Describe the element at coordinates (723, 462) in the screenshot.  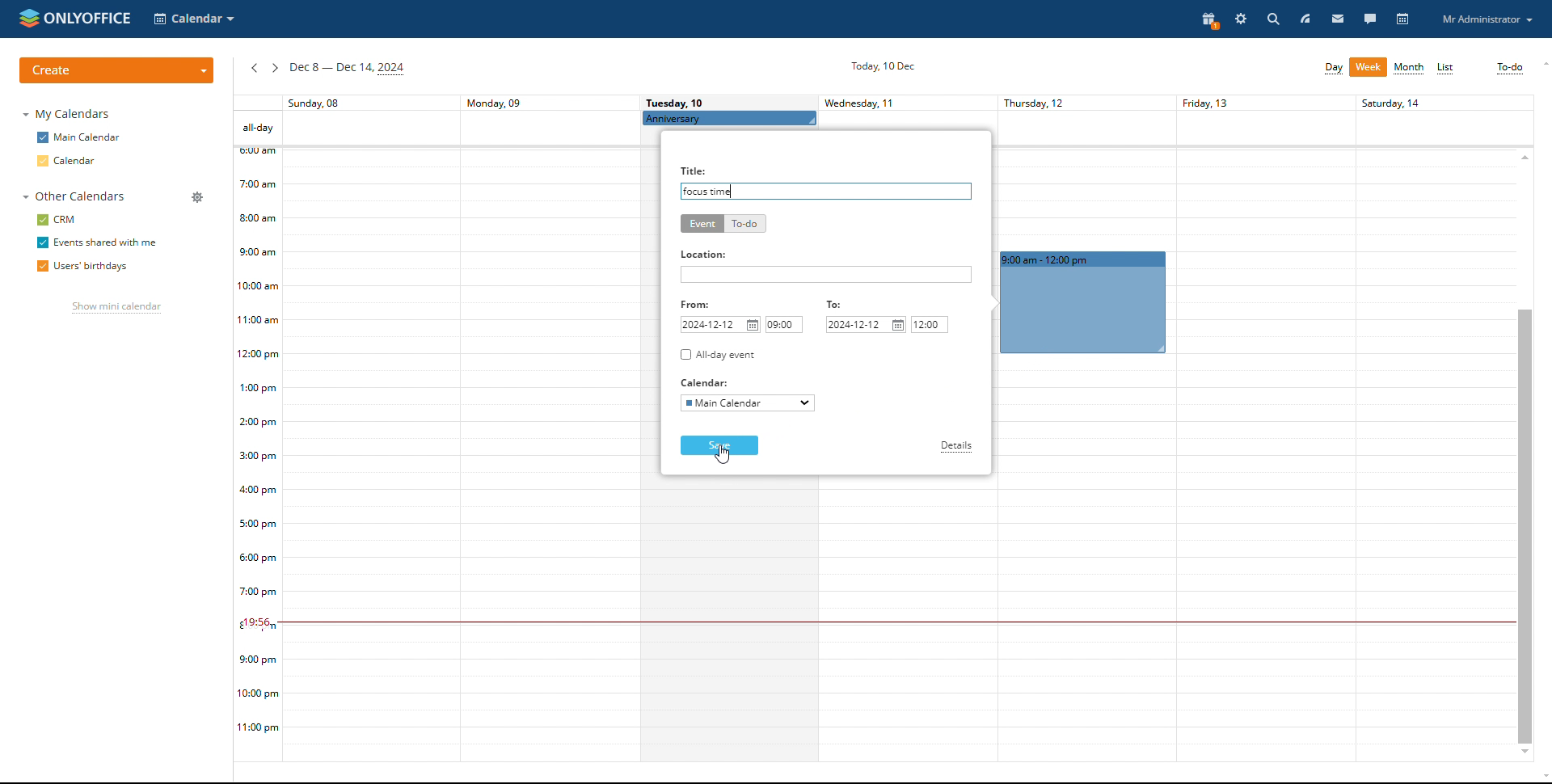
I see `mouse pointer` at that location.